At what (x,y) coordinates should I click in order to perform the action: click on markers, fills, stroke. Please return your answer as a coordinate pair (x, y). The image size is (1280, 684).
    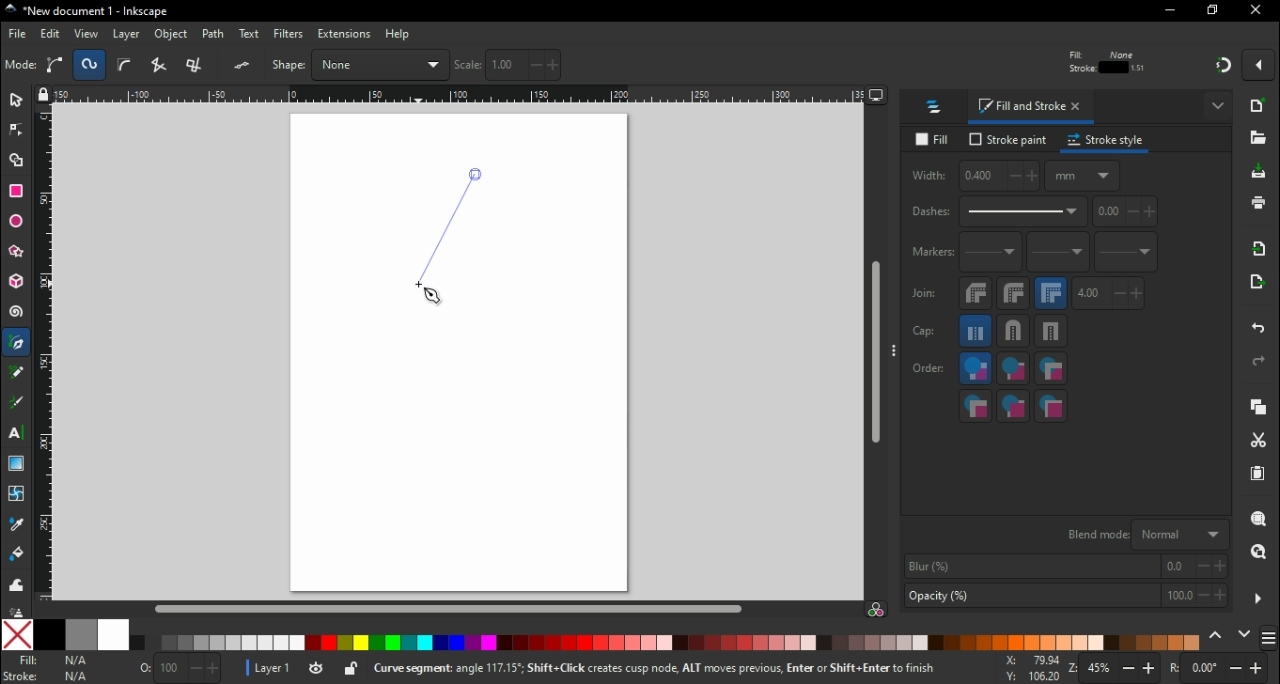
    Looking at the image, I should click on (976, 408).